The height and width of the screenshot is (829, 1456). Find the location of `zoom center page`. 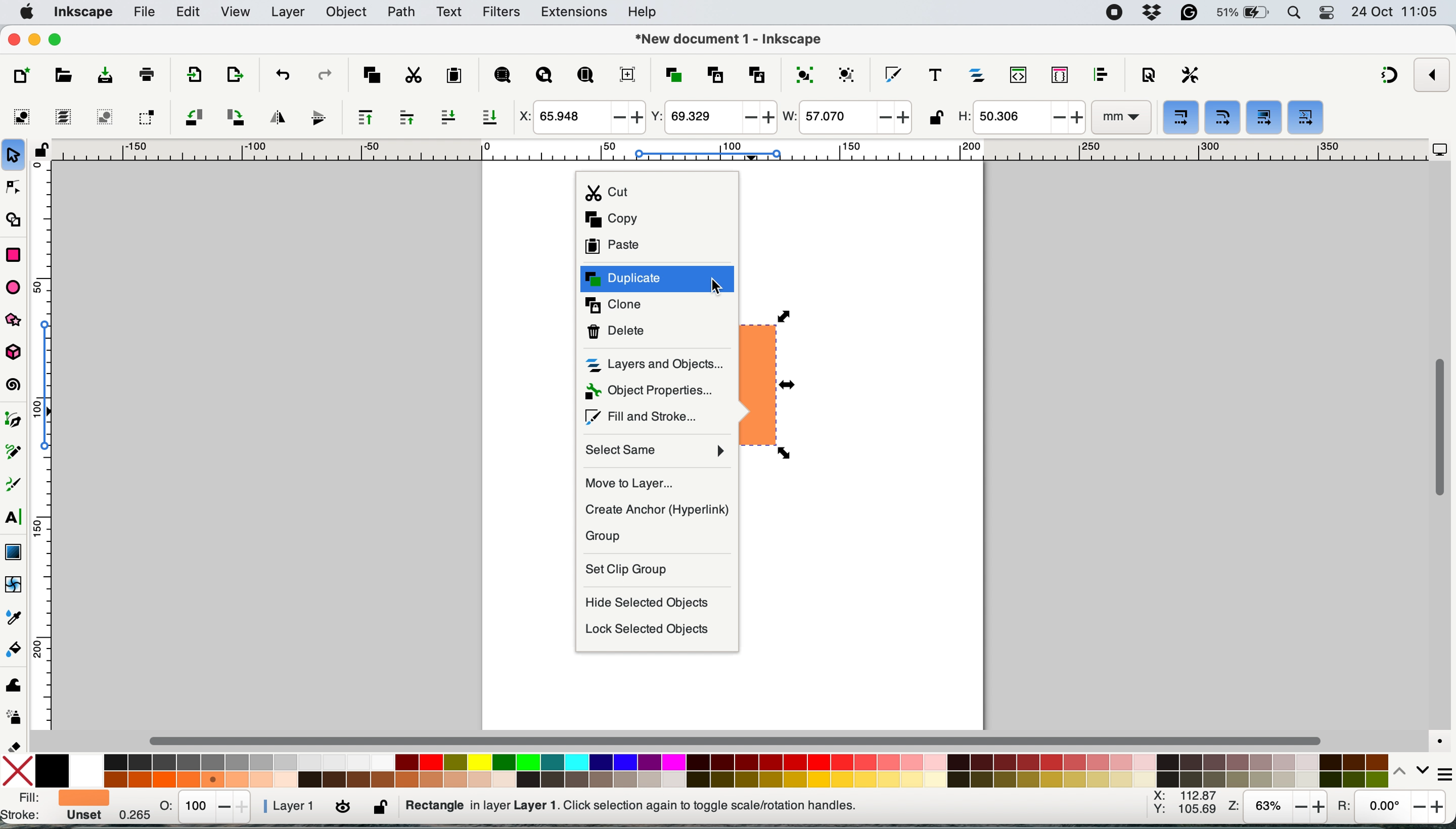

zoom center page is located at coordinates (627, 74).